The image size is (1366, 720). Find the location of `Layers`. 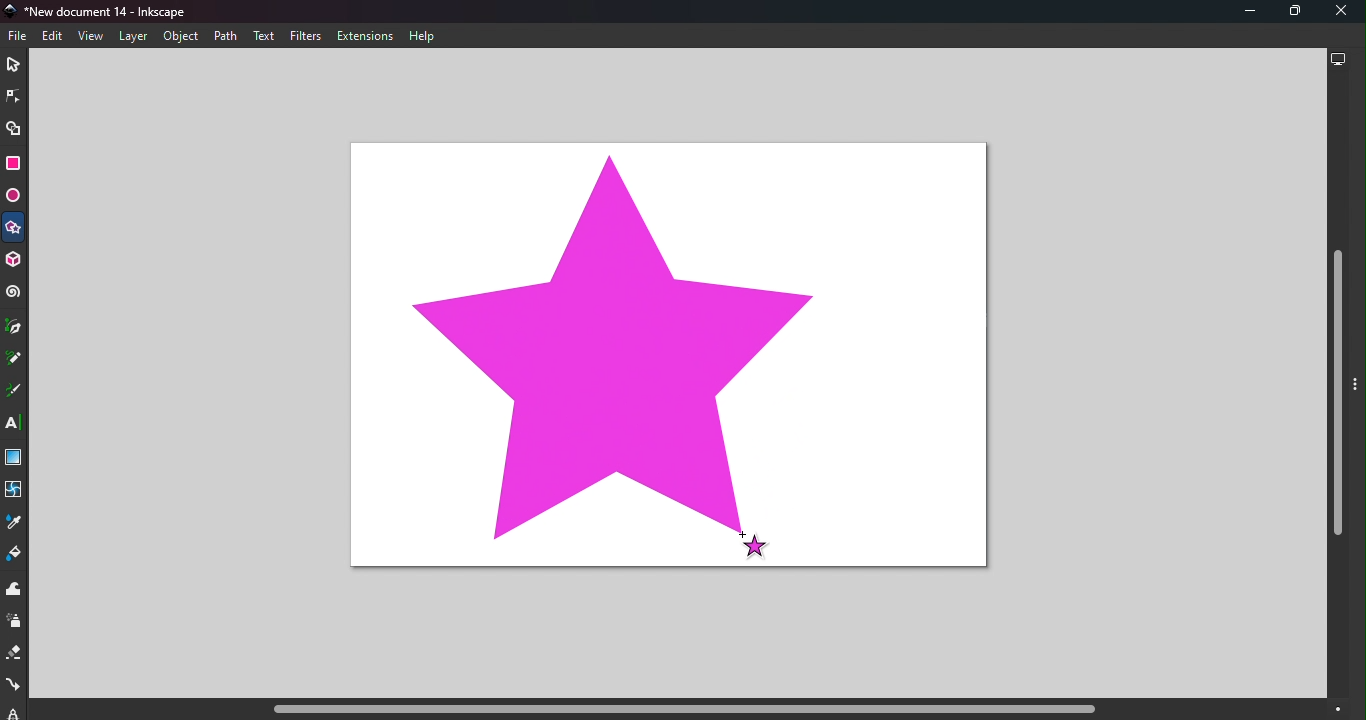

Layers is located at coordinates (132, 37).